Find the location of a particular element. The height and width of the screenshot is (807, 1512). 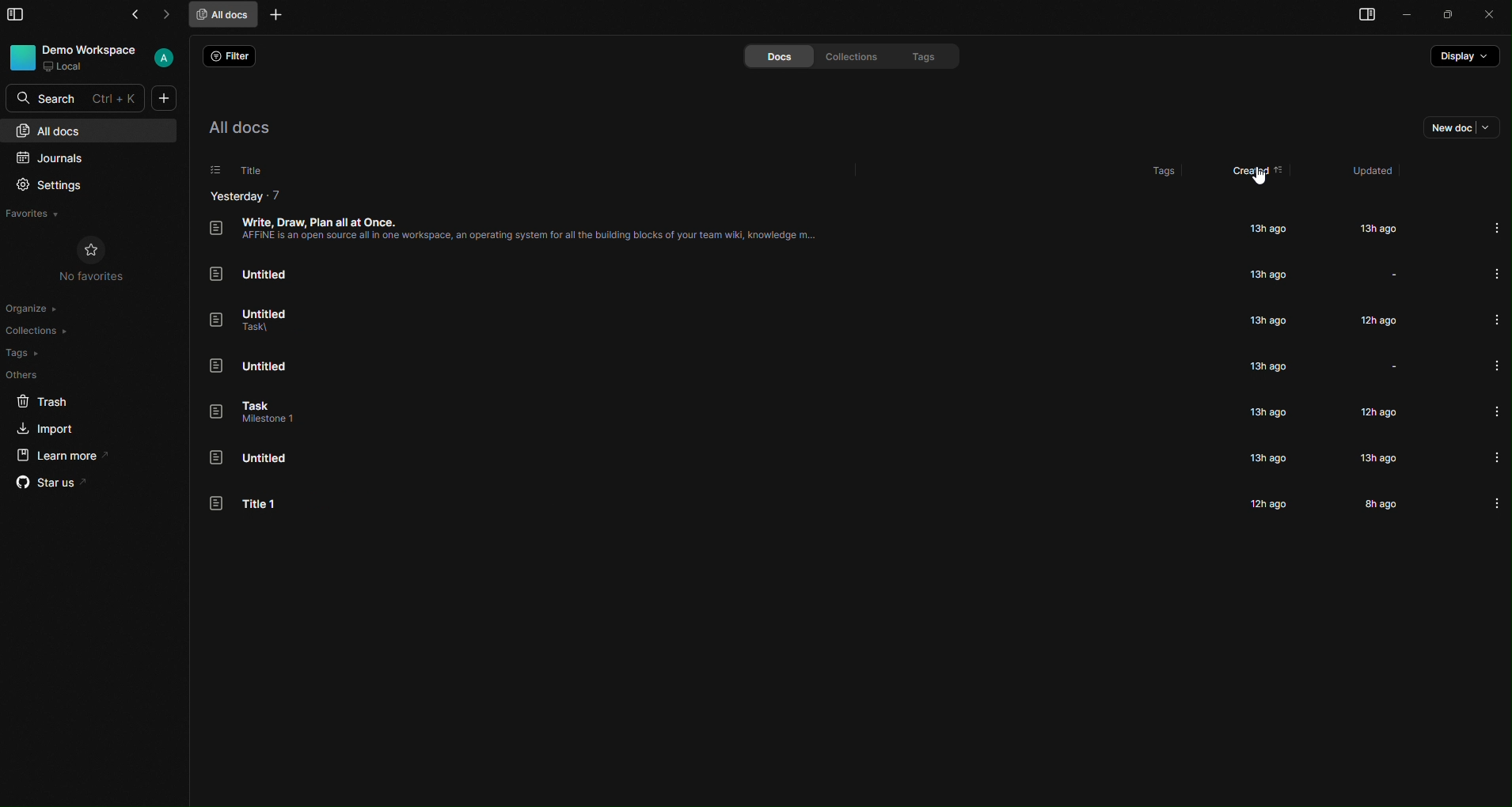

12h ago is located at coordinates (1376, 413).